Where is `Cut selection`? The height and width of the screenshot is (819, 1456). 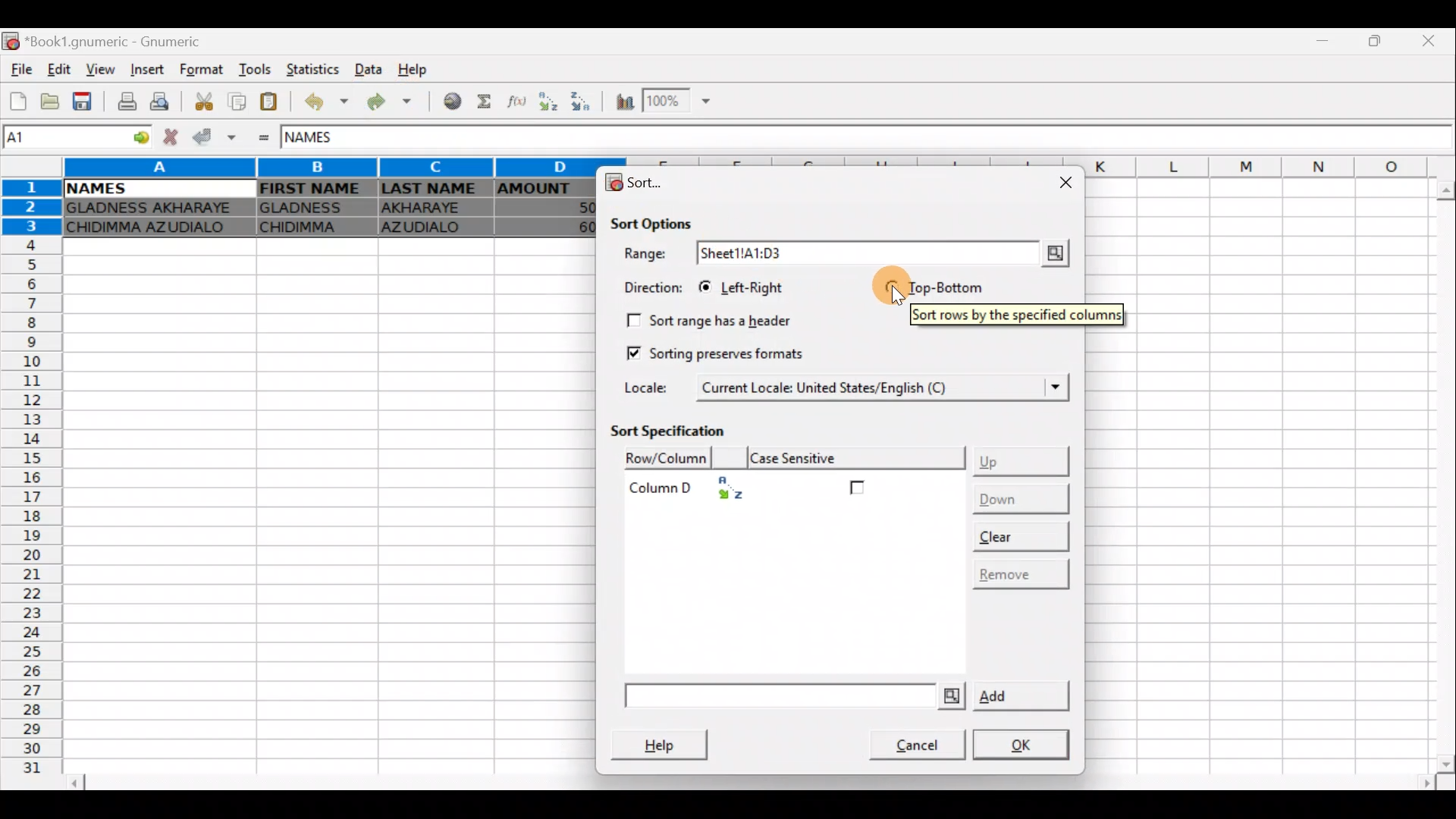
Cut selection is located at coordinates (208, 104).